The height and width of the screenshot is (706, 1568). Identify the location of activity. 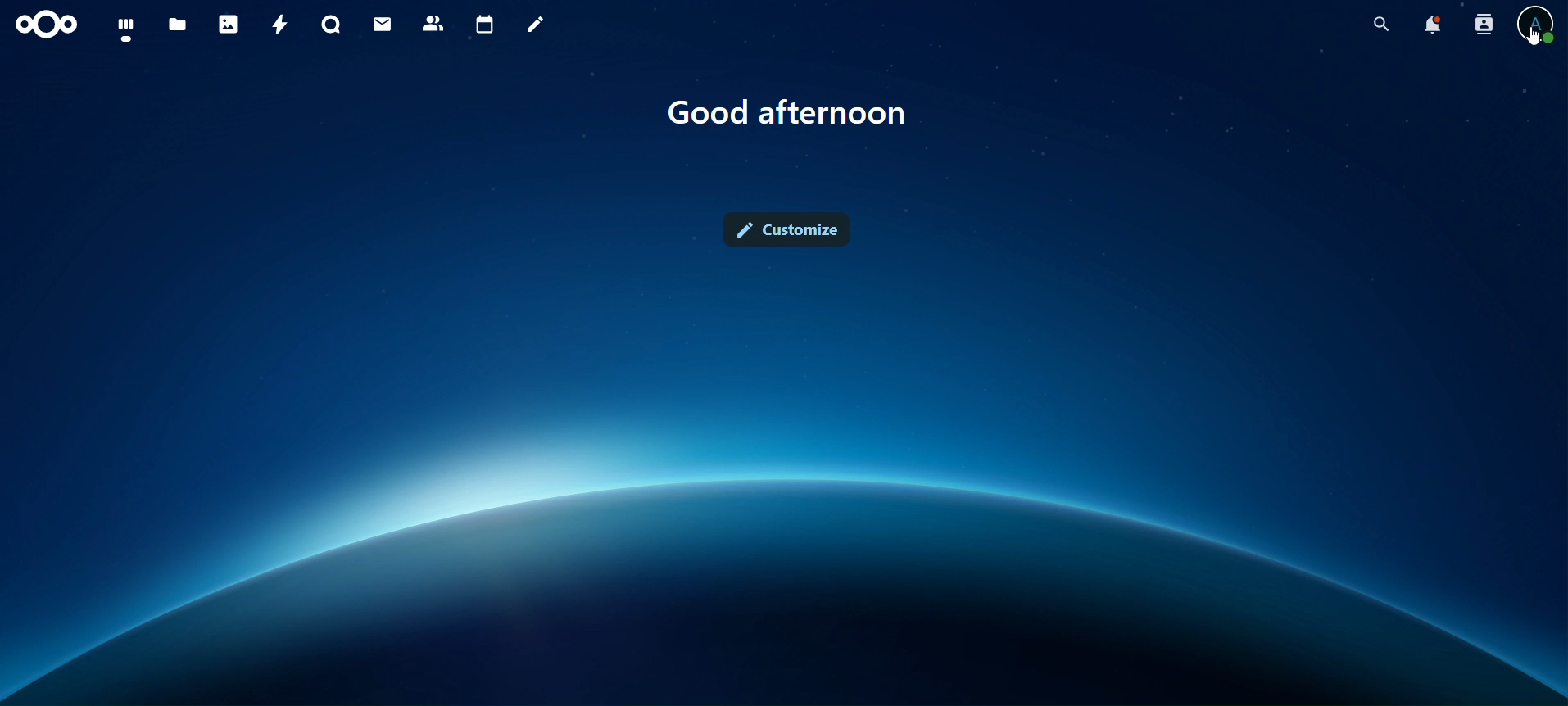
(279, 24).